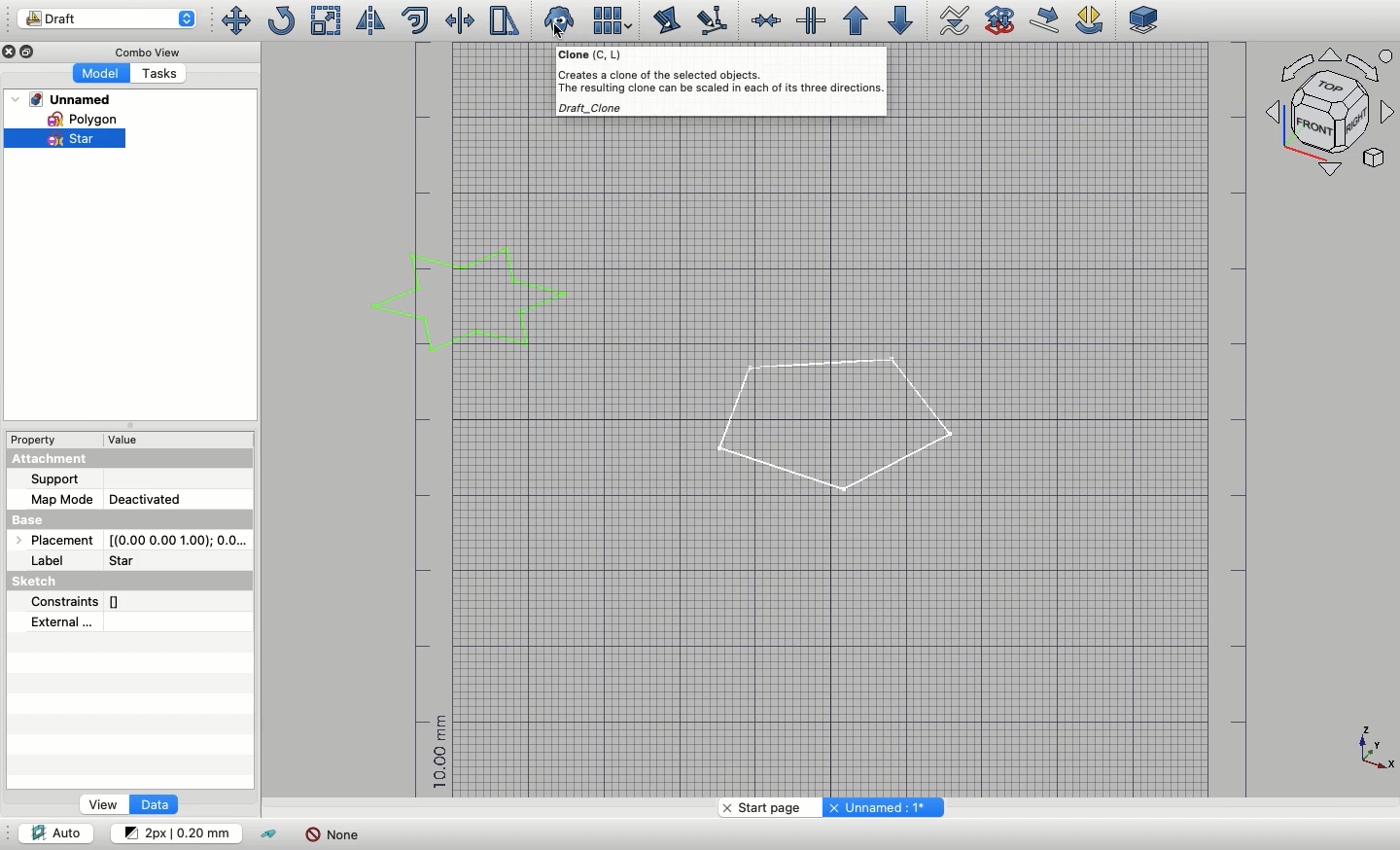 Image resolution: width=1400 pixels, height=850 pixels. I want to click on Map mode, so click(61, 500).